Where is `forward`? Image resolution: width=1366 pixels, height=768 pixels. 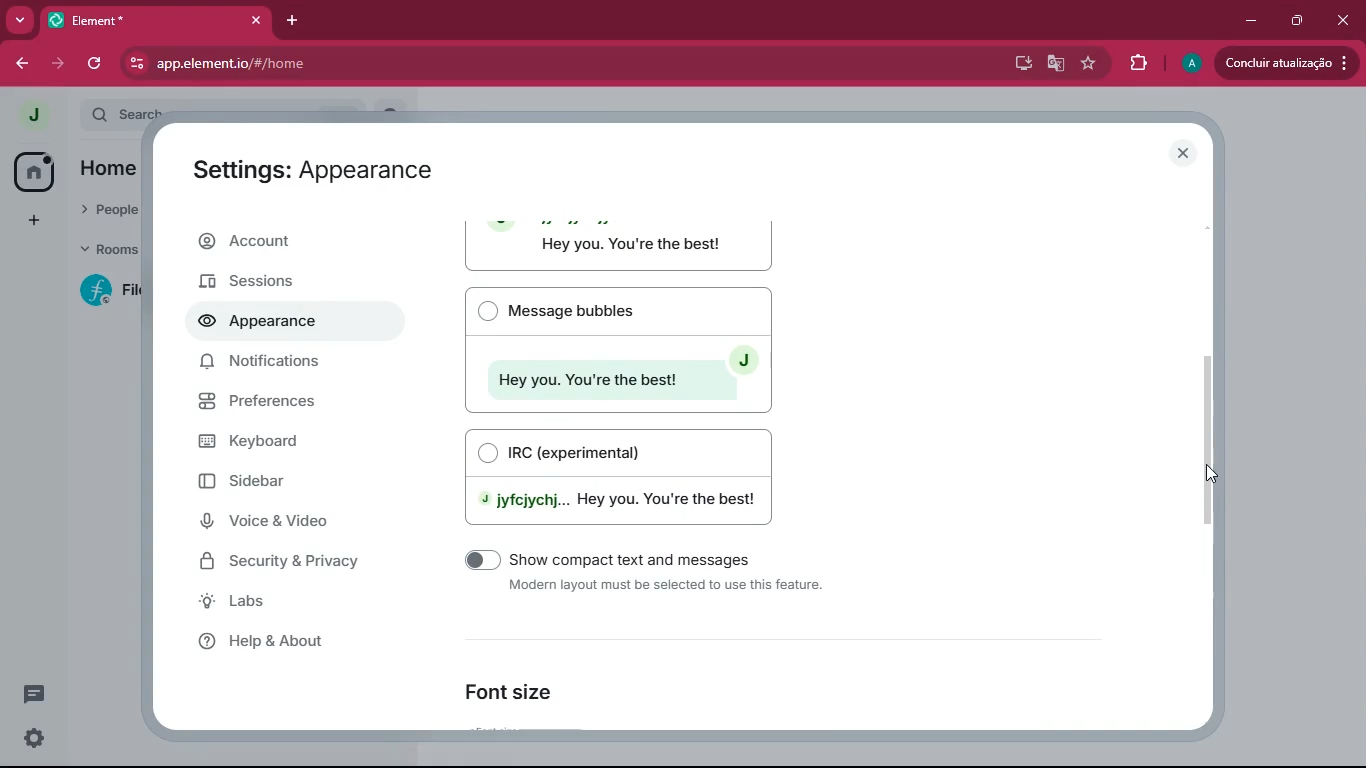 forward is located at coordinates (61, 65).